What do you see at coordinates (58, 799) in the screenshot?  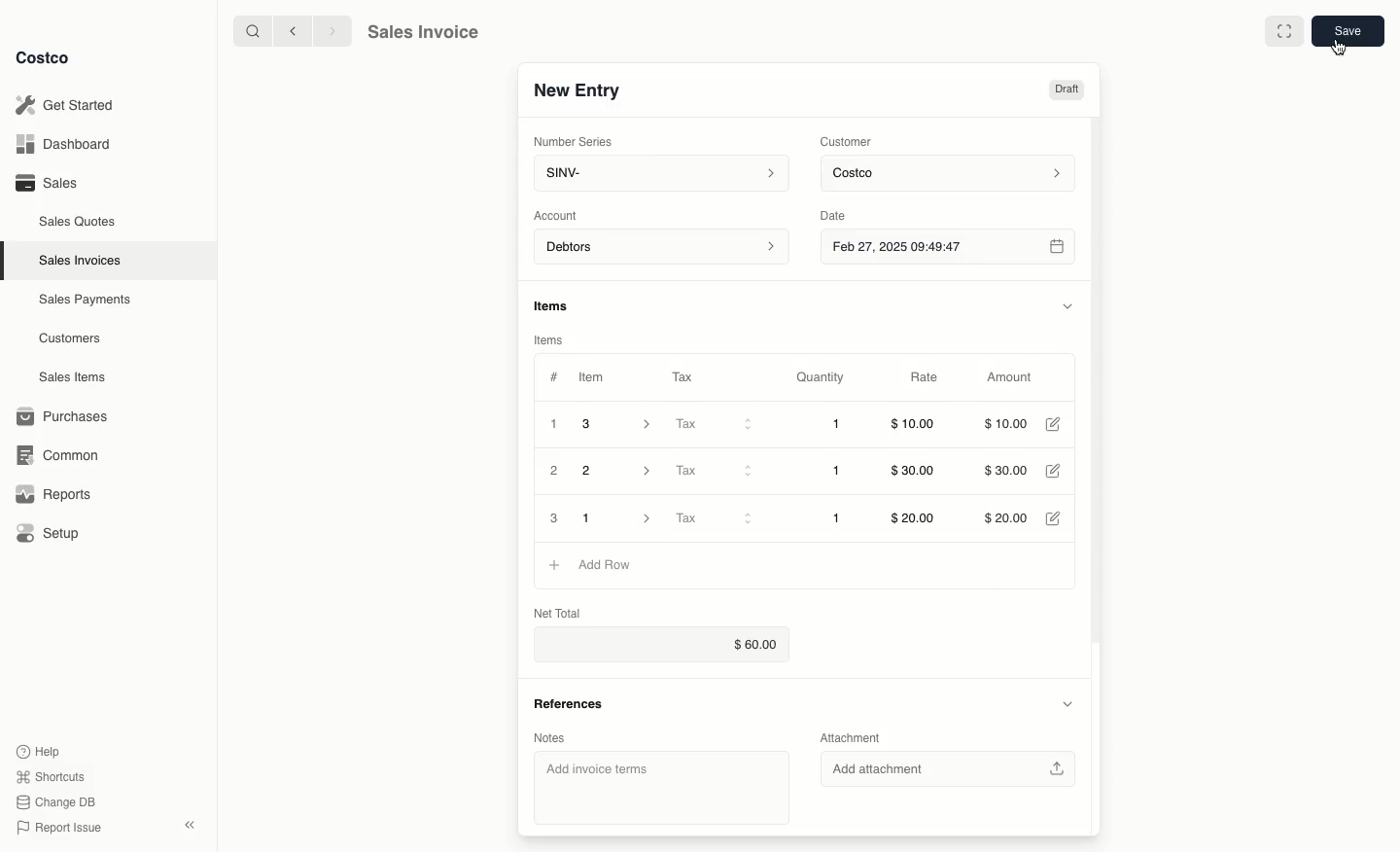 I see `Change DB` at bounding box center [58, 799].